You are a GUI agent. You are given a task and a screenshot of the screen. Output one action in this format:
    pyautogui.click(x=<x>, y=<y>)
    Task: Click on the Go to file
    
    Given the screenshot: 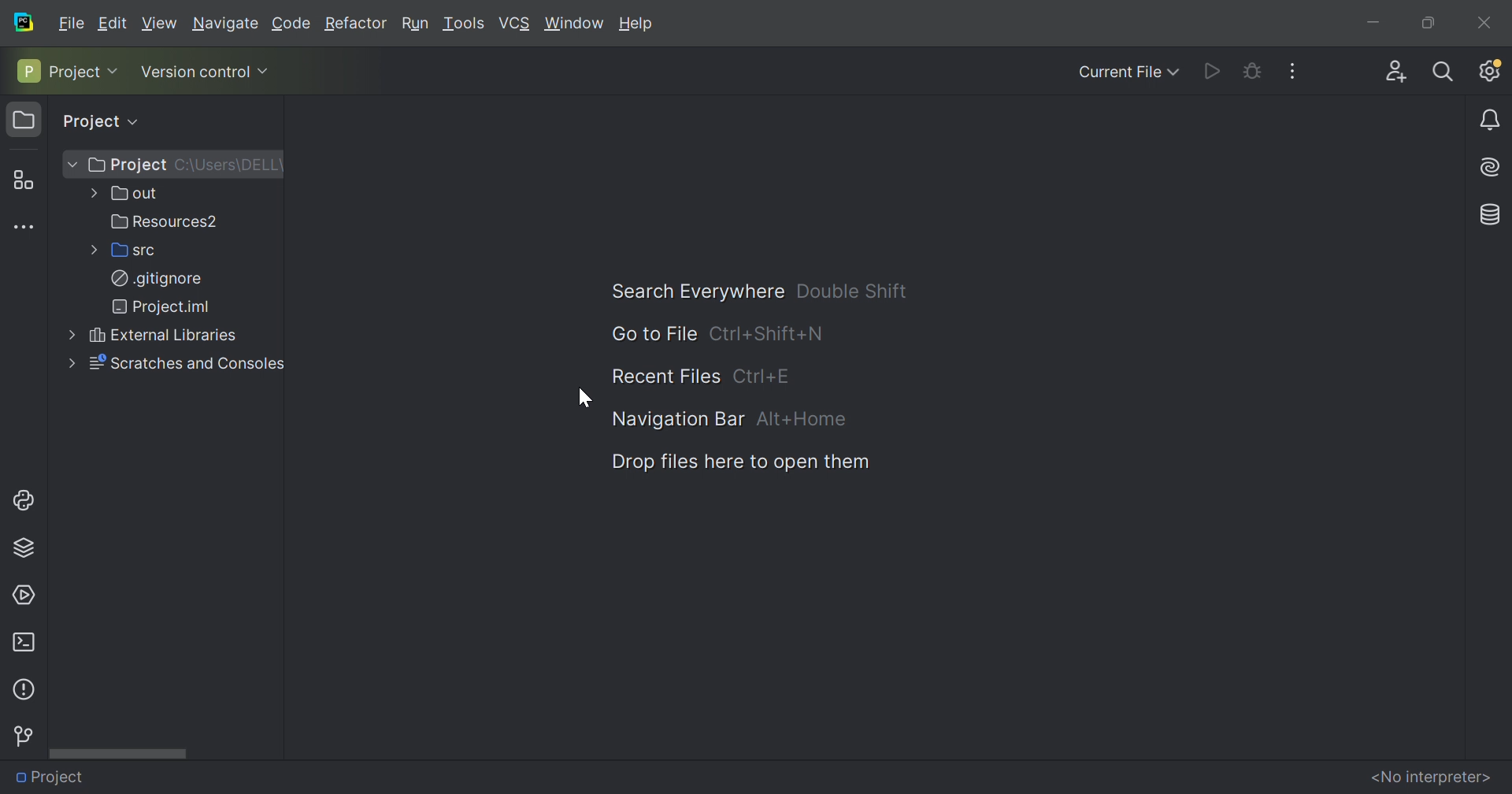 What is the action you would take?
    pyautogui.click(x=647, y=335)
    